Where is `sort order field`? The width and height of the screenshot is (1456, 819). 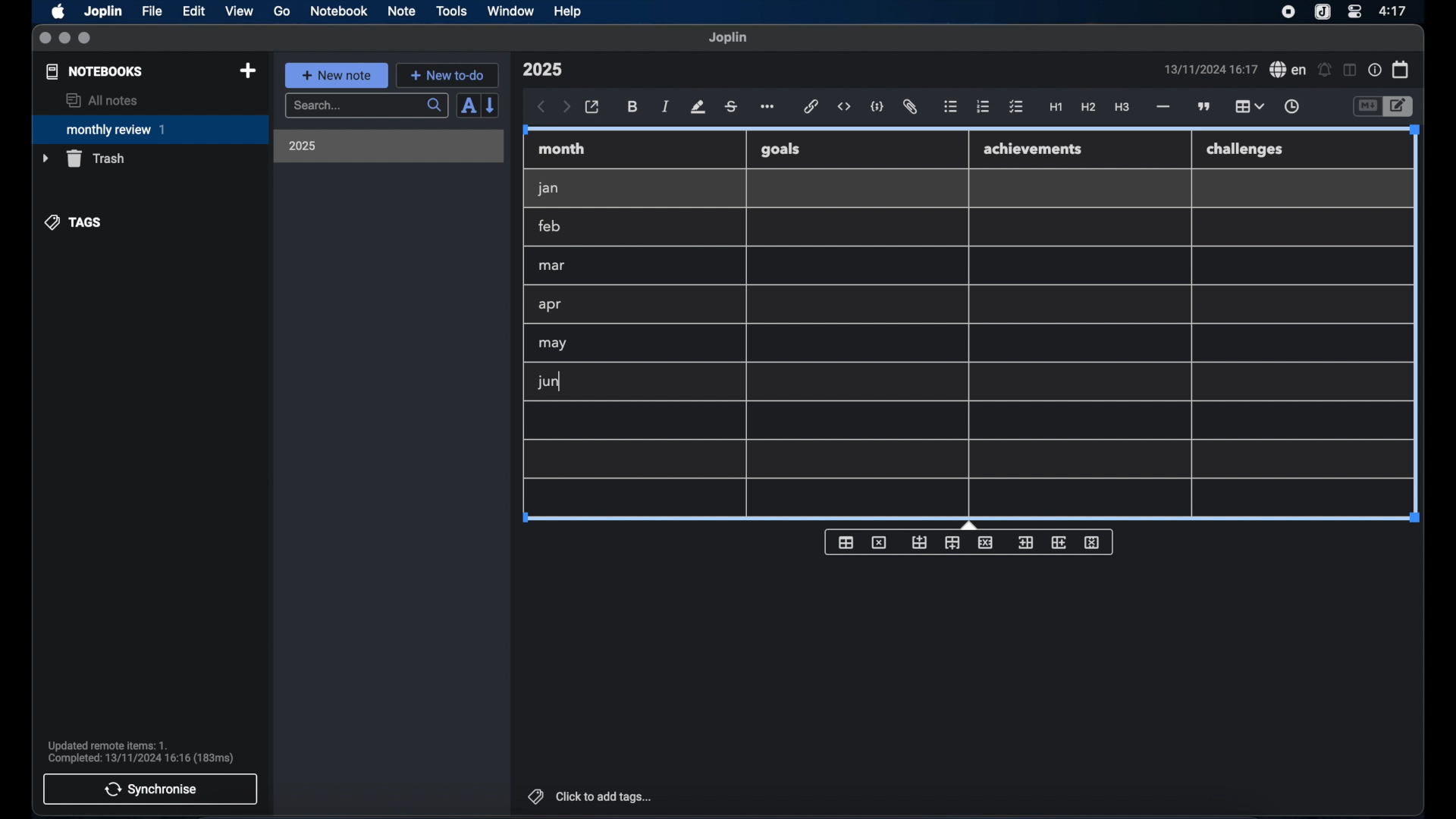 sort order field is located at coordinates (468, 106).